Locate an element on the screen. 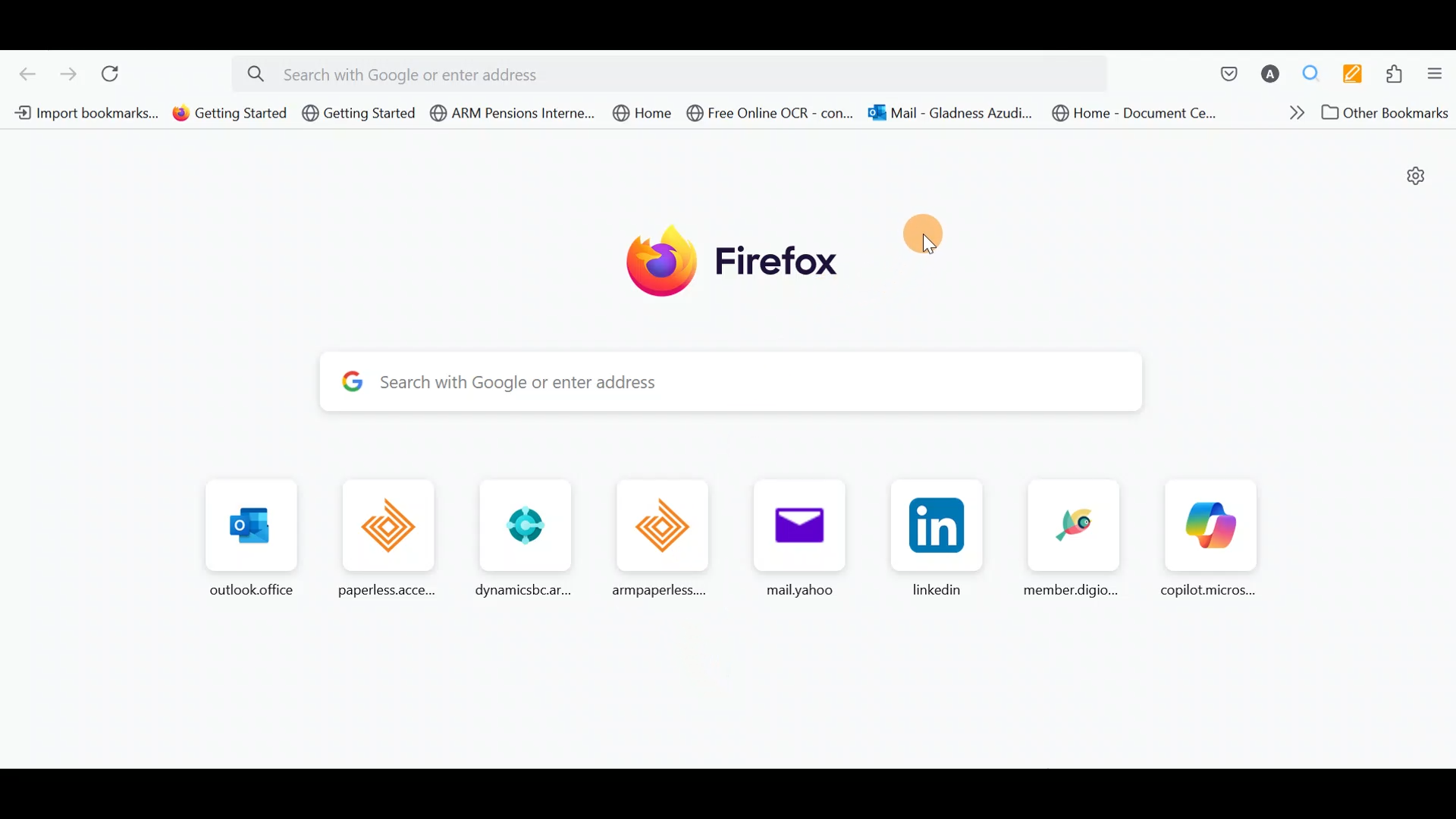  Bookmark 5 is located at coordinates (648, 115).